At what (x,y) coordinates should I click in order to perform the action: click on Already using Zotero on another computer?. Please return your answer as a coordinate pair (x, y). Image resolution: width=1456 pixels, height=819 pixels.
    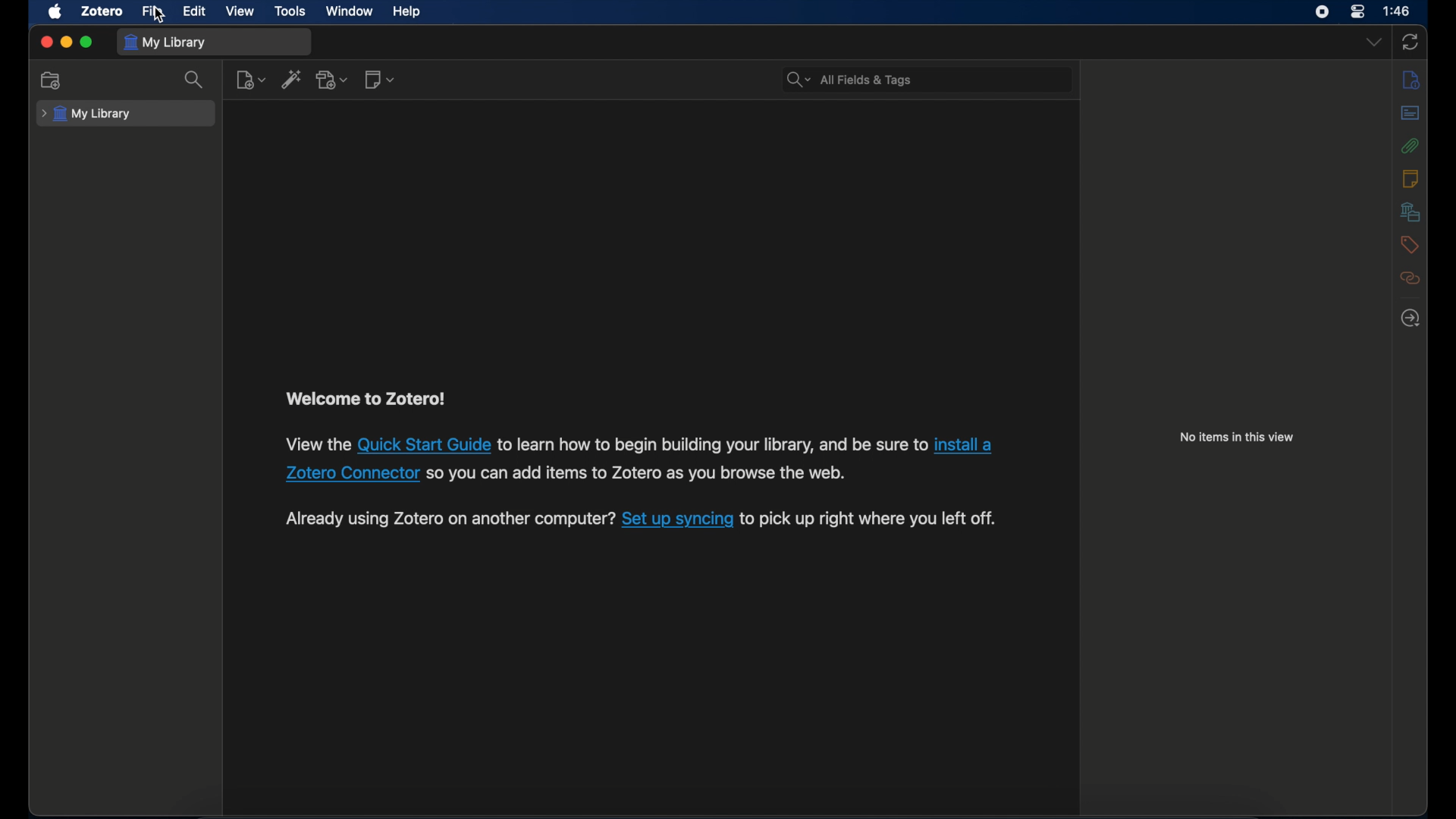
    Looking at the image, I should click on (449, 519).